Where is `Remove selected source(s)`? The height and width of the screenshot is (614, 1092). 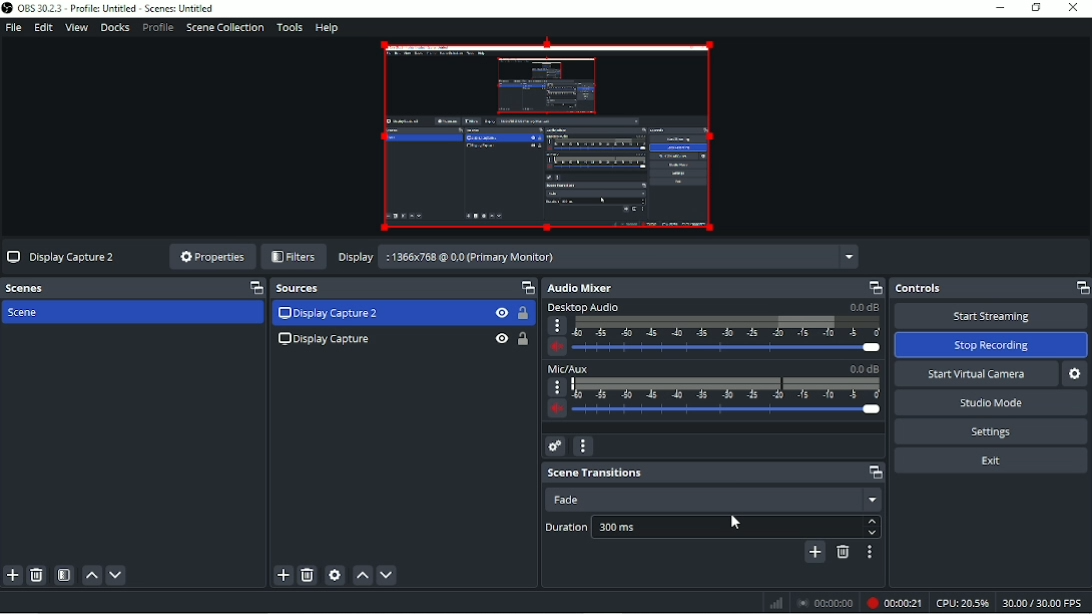
Remove selected source(s) is located at coordinates (307, 575).